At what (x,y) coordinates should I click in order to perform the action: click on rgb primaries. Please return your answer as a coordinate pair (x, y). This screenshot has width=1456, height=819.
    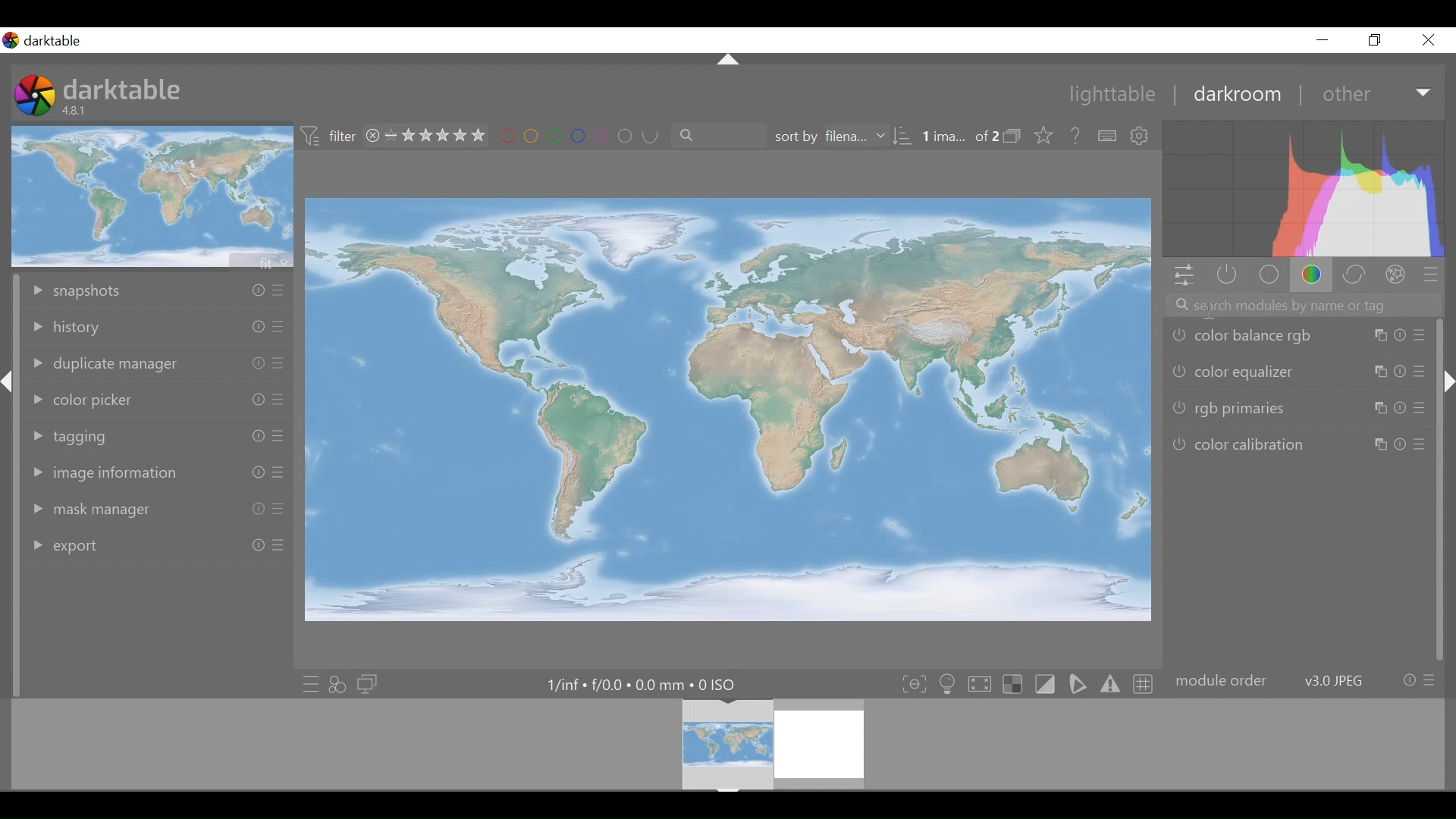
    Looking at the image, I should click on (1296, 406).